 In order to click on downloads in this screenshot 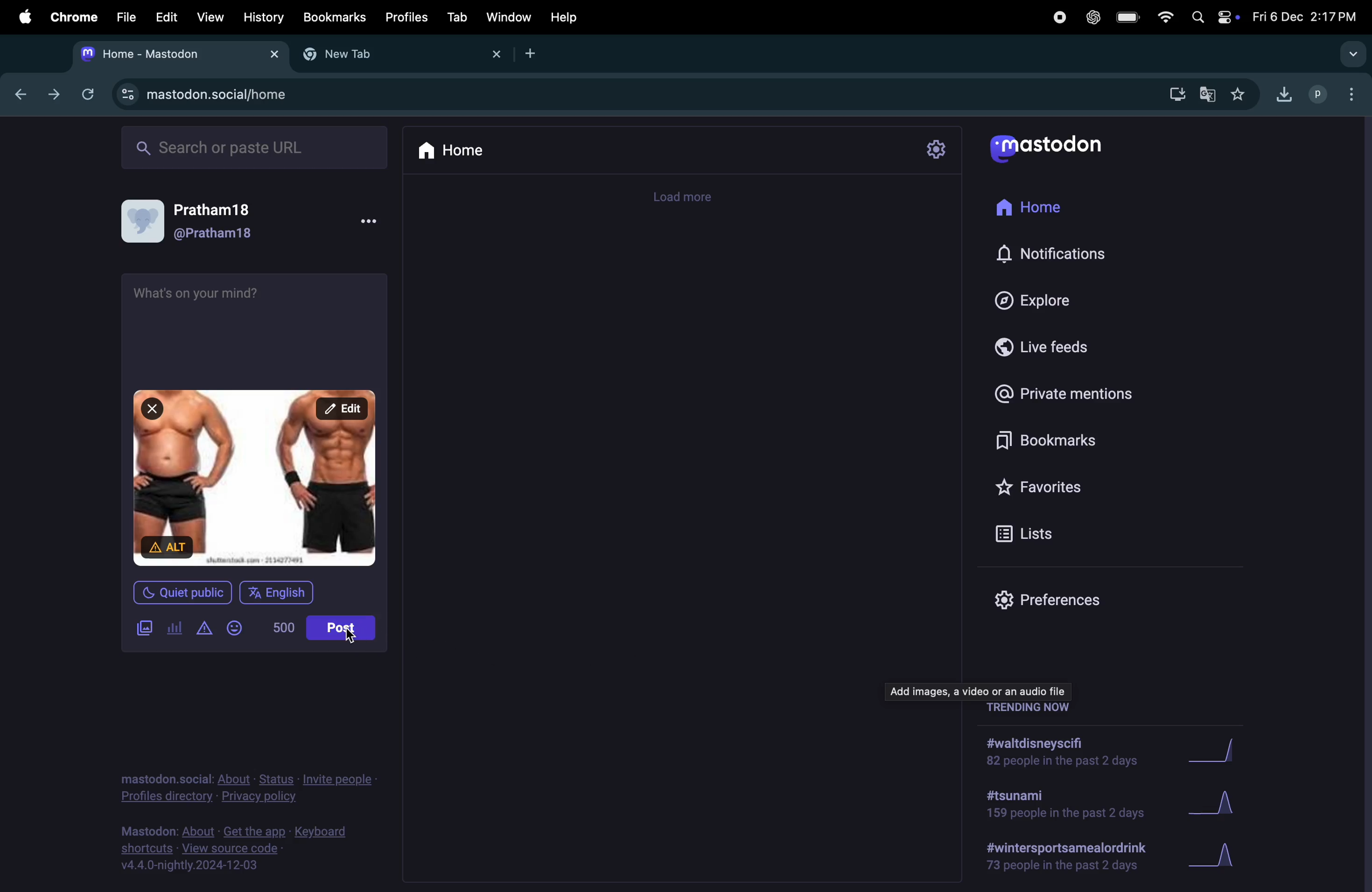, I will do `click(1284, 92)`.